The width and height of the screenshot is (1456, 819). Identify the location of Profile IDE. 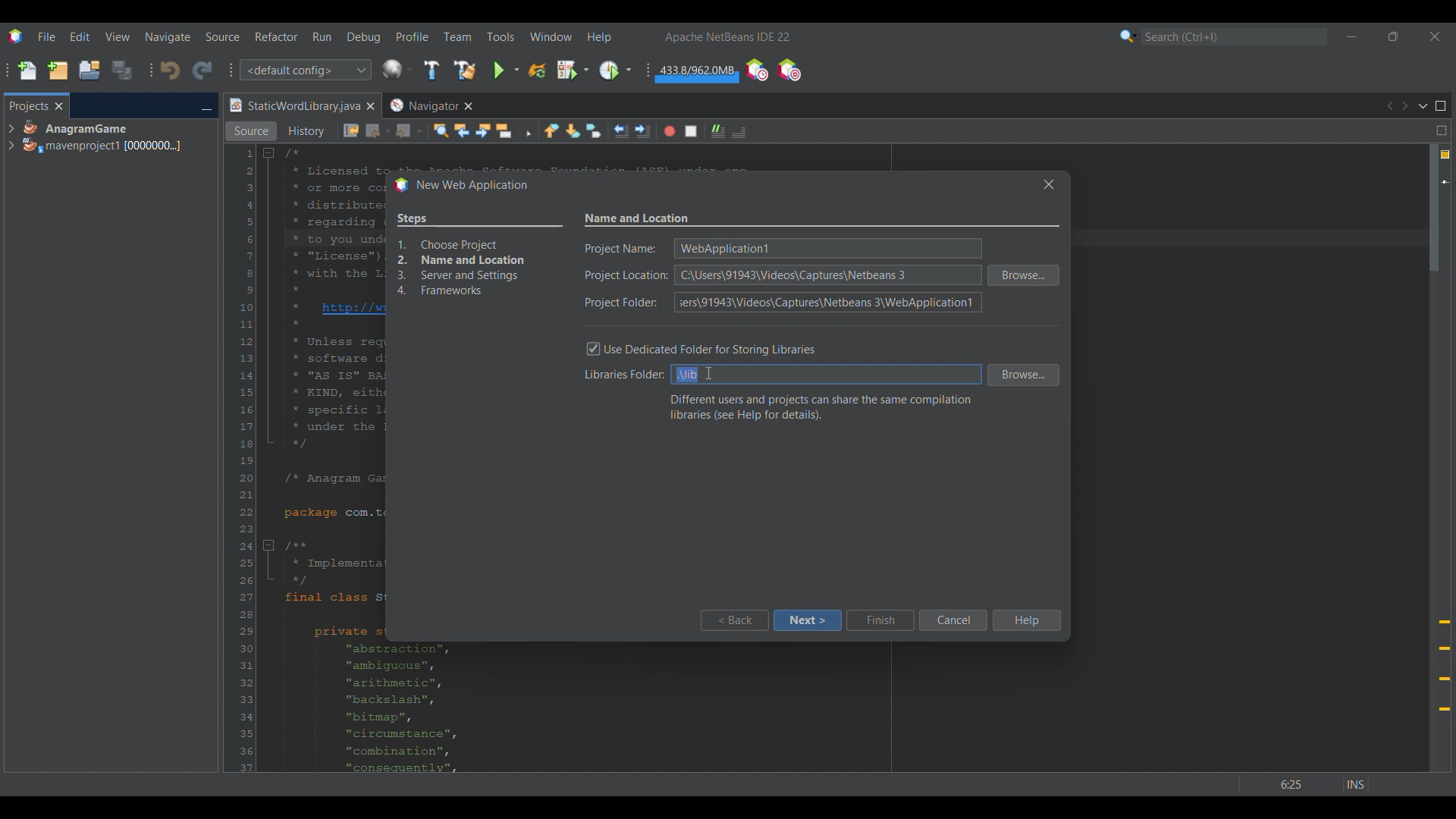
(756, 71).